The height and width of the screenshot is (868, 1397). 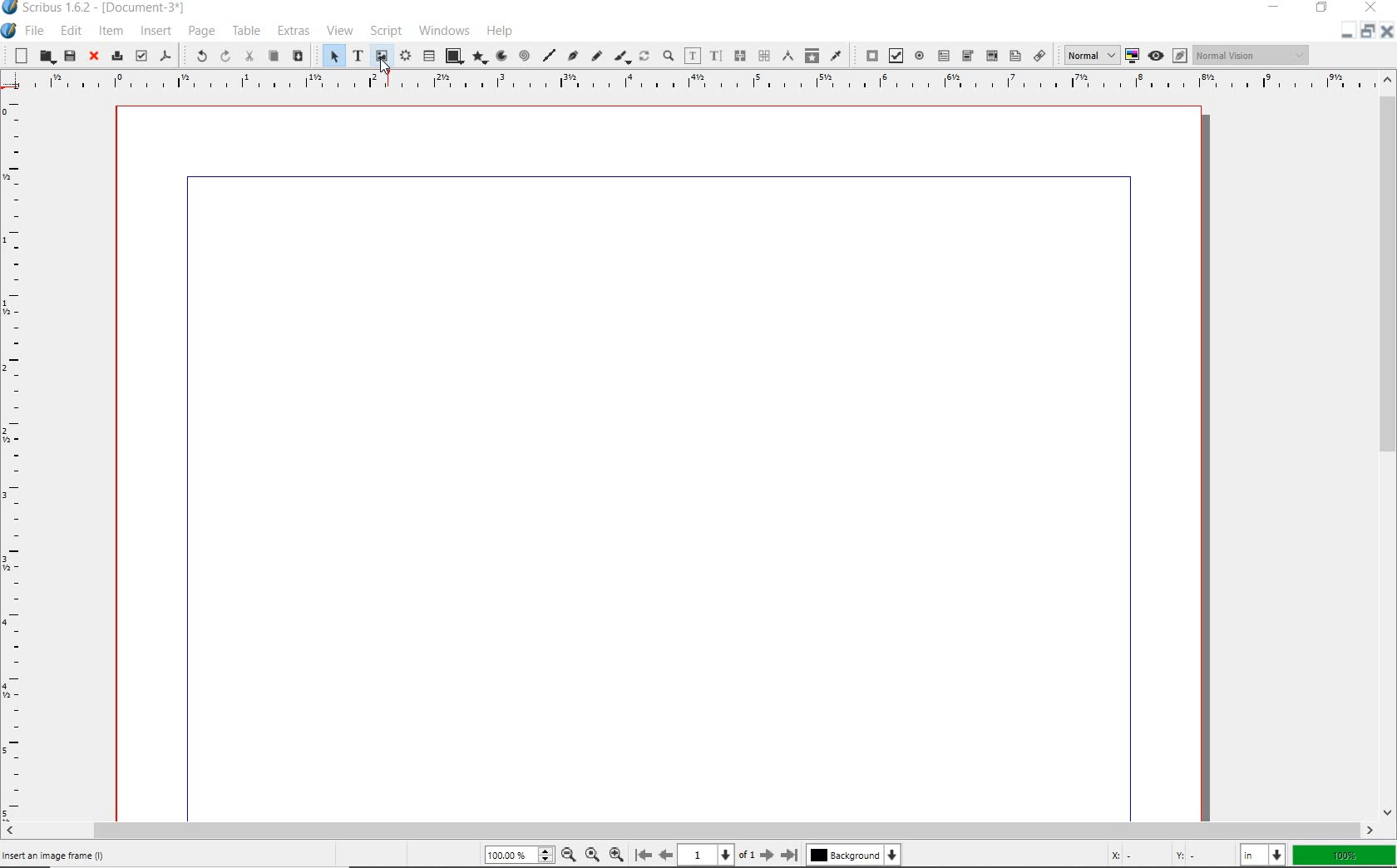 What do you see at coordinates (1132, 54) in the screenshot?
I see `toggle color` at bounding box center [1132, 54].